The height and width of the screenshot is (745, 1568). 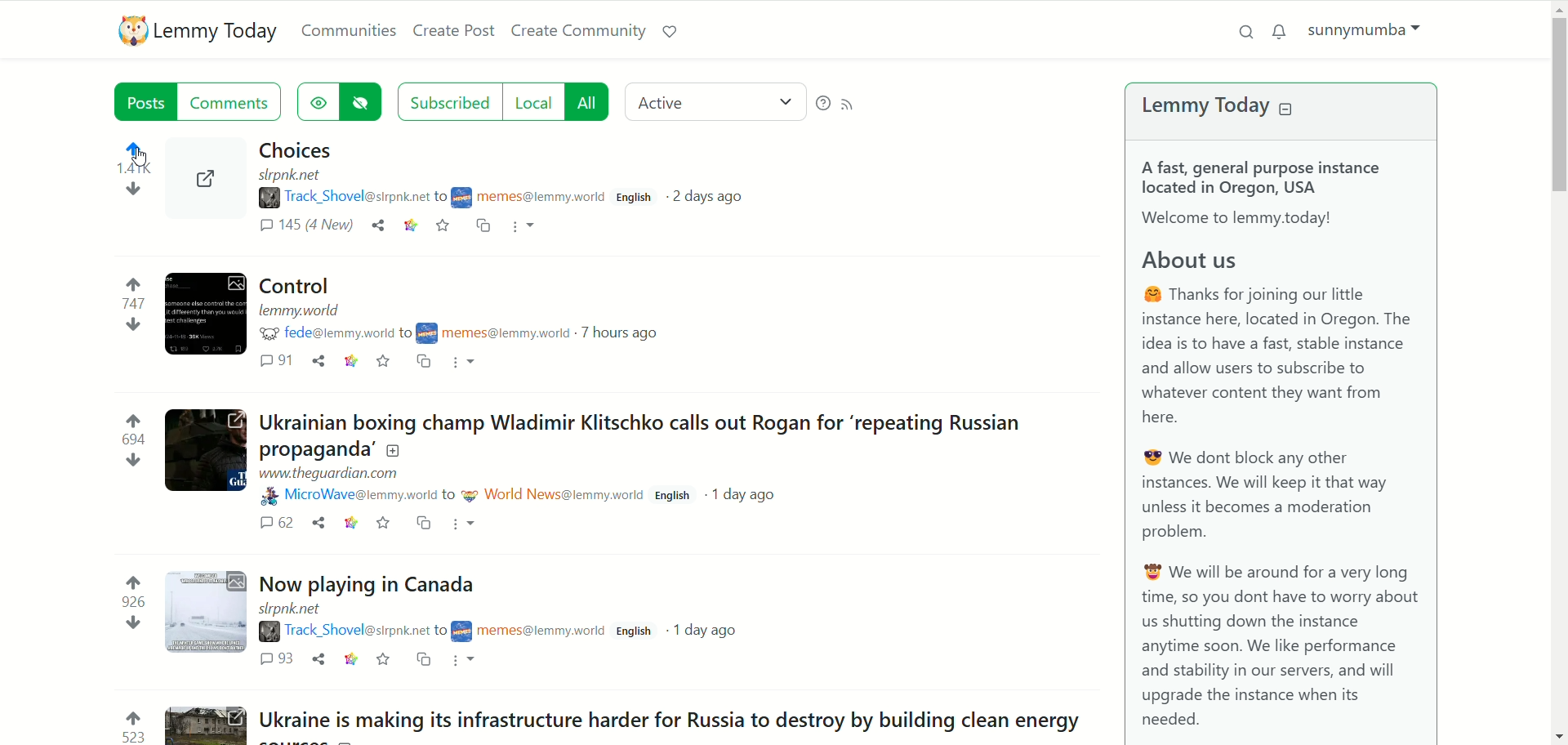 I want to click on About us, so click(x=1225, y=261).